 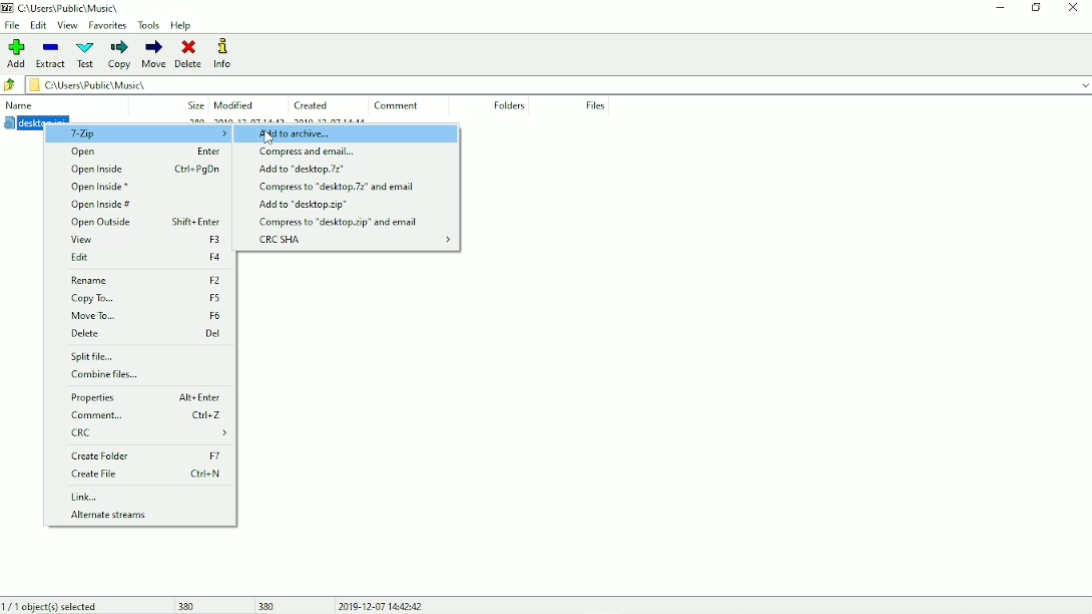 What do you see at coordinates (181, 26) in the screenshot?
I see `Help` at bounding box center [181, 26].